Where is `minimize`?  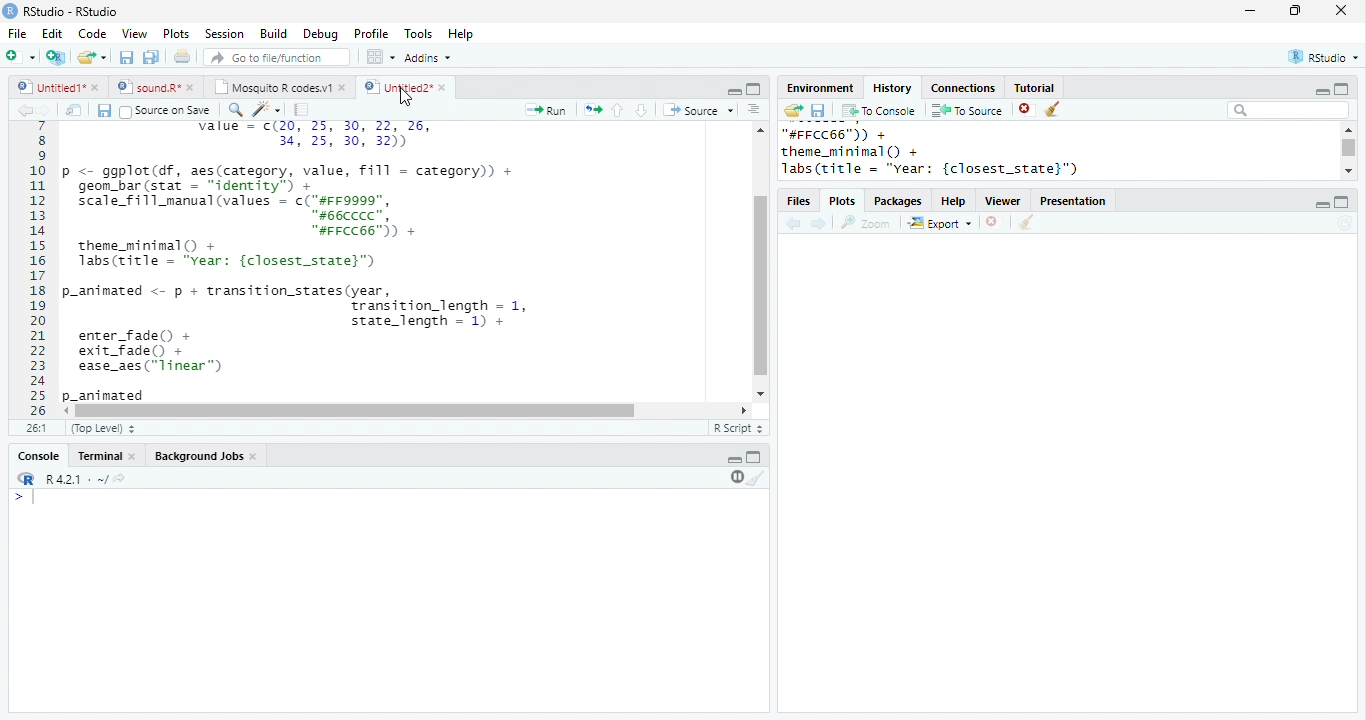 minimize is located at coordinates (1249, 11).